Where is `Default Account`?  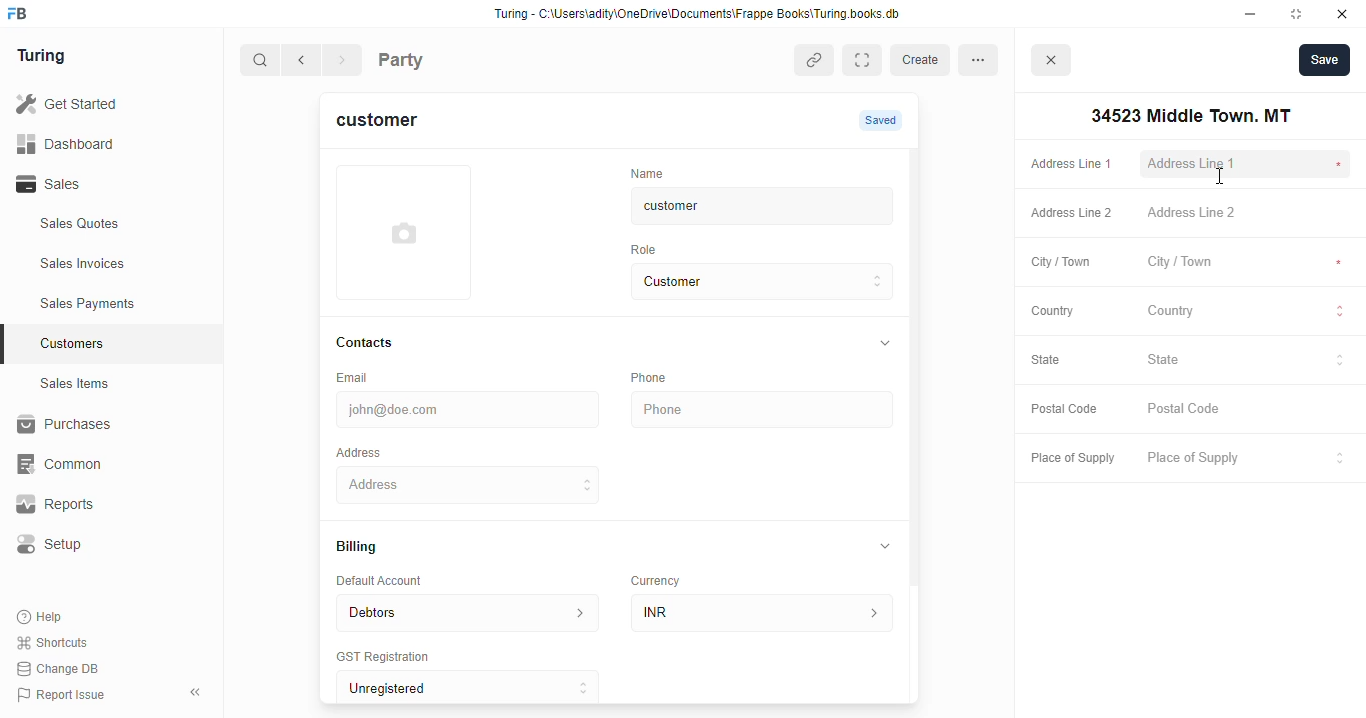
Default Account is located at coordinates (395, 580).